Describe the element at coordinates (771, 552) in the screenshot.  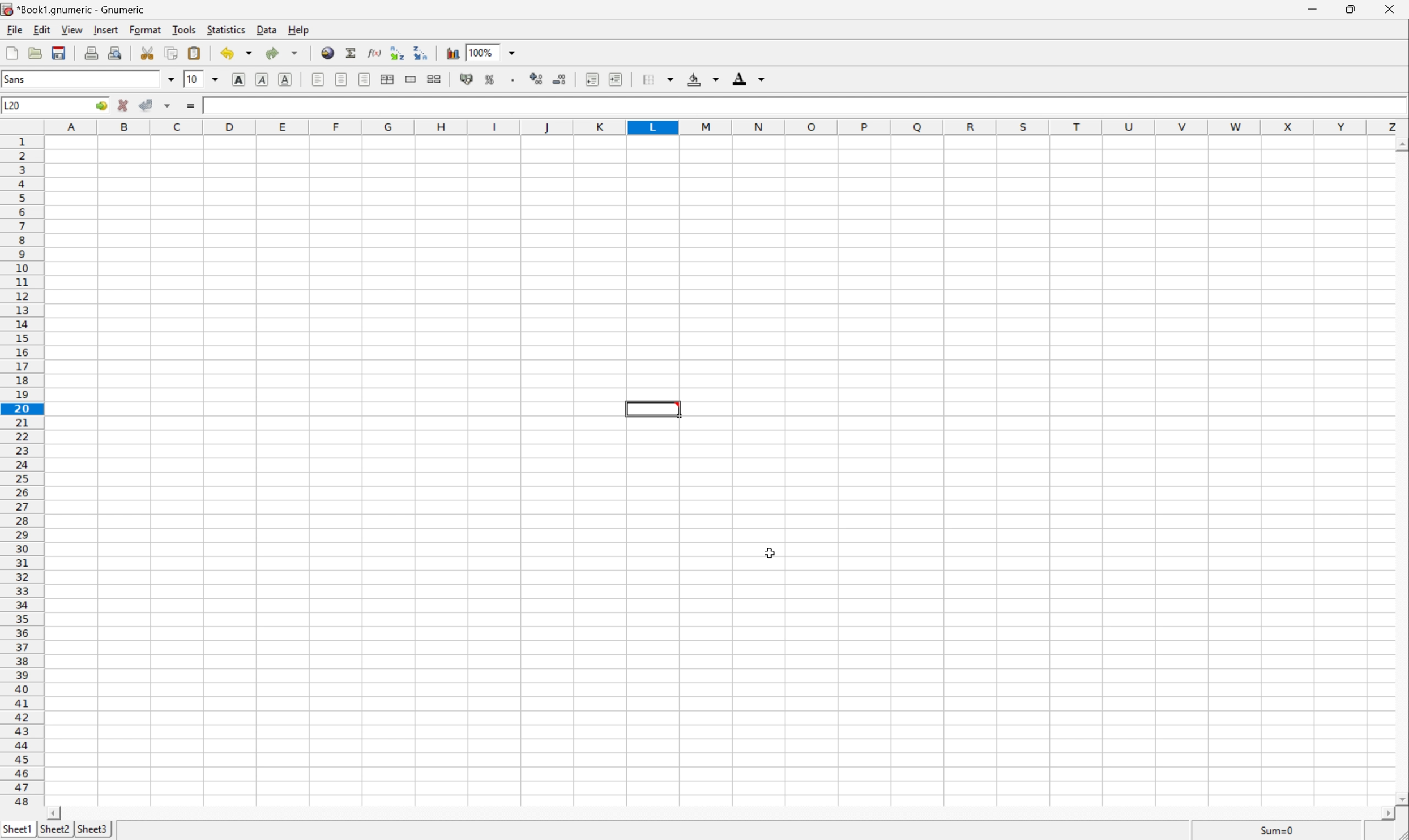
I see `Cursor` at that location.